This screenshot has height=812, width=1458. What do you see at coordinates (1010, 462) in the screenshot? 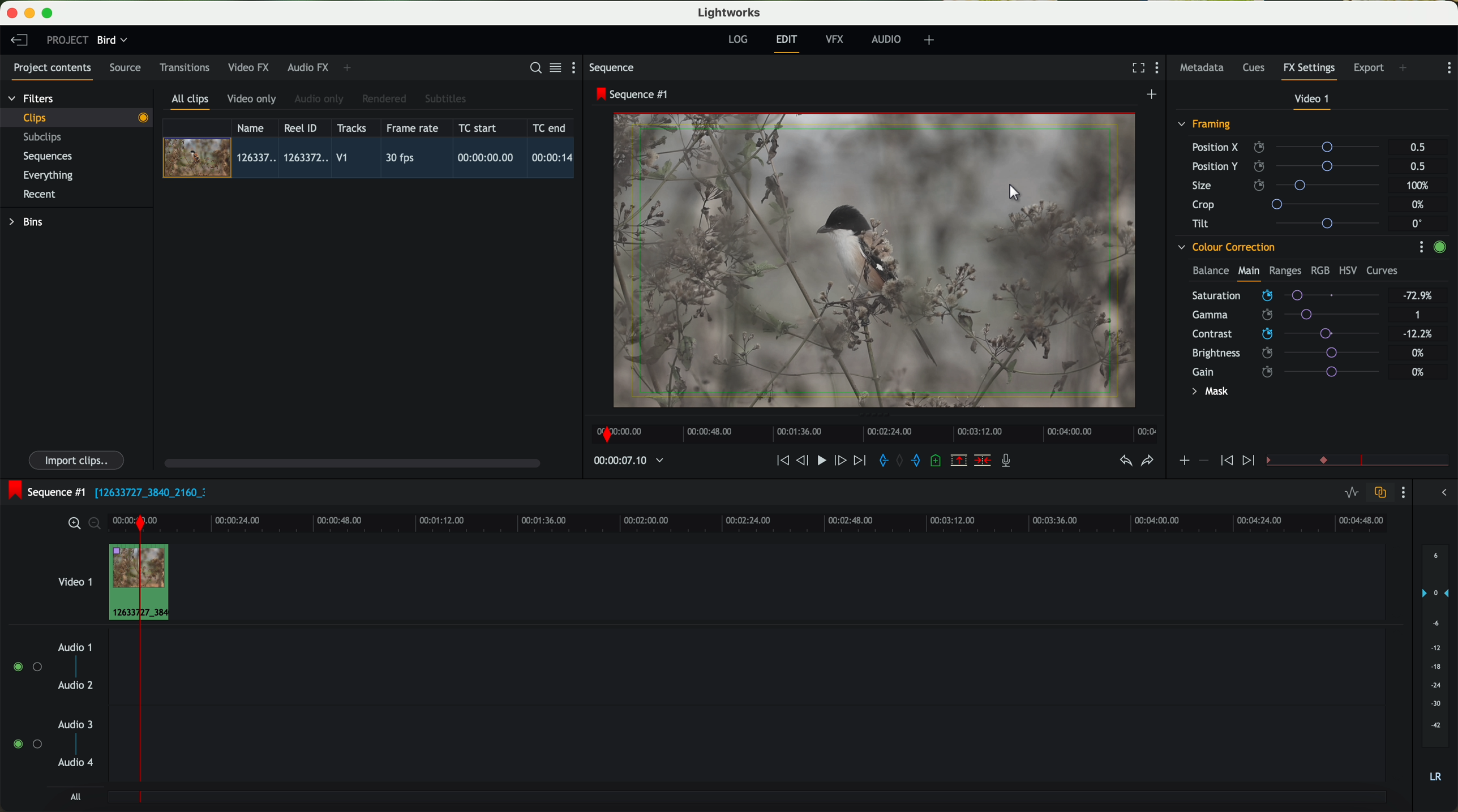
I see `record a voice-over` at bounding box center [1010, 462].